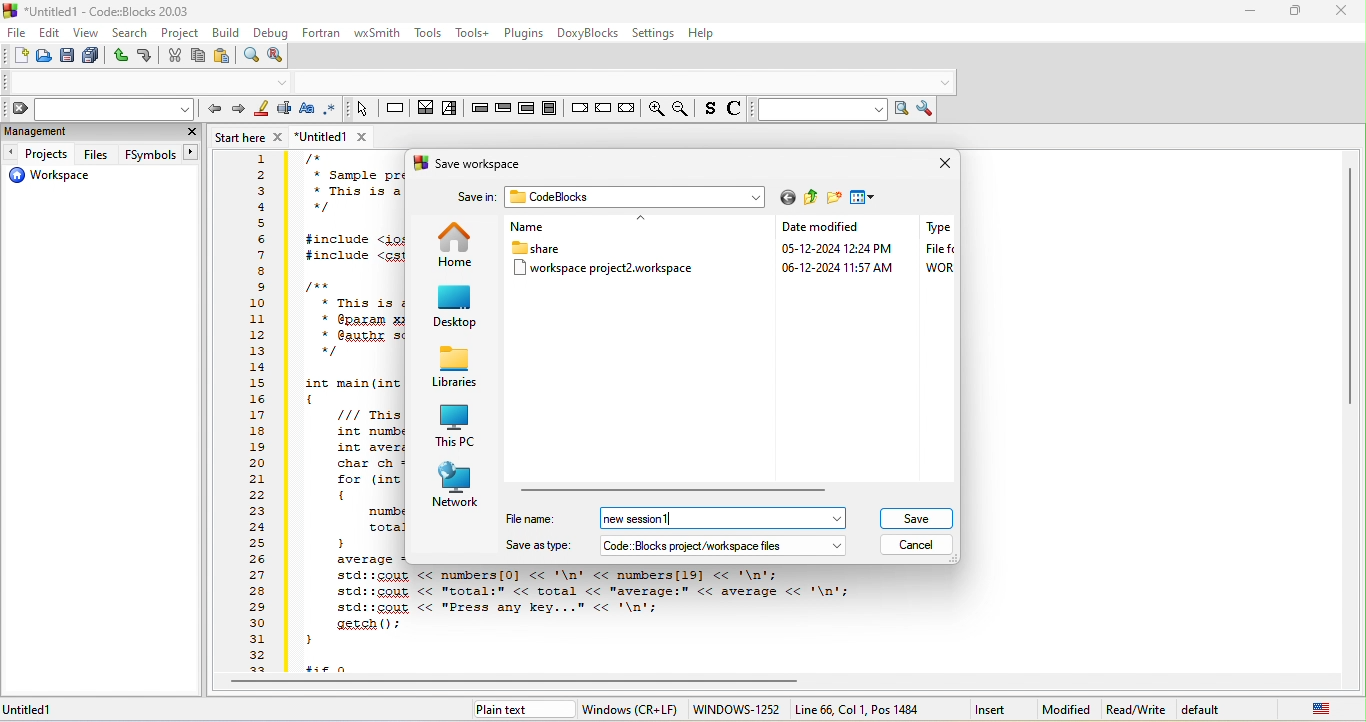  Describe the element at coordinates (89, 57) in the screenshot. I see `save everything` at that location.